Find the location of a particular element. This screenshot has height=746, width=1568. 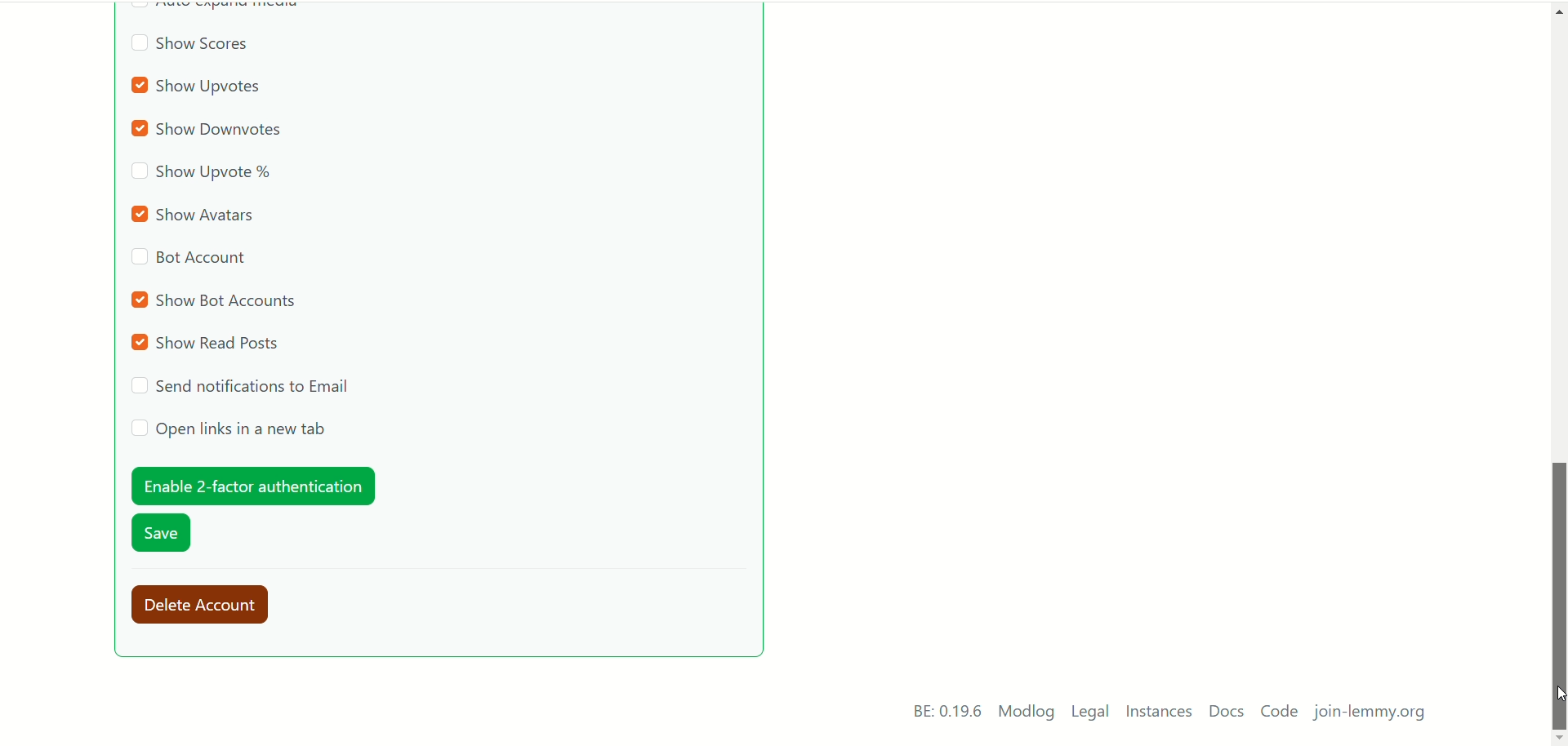

INSTANCES is located at coordinates (1162, 713).